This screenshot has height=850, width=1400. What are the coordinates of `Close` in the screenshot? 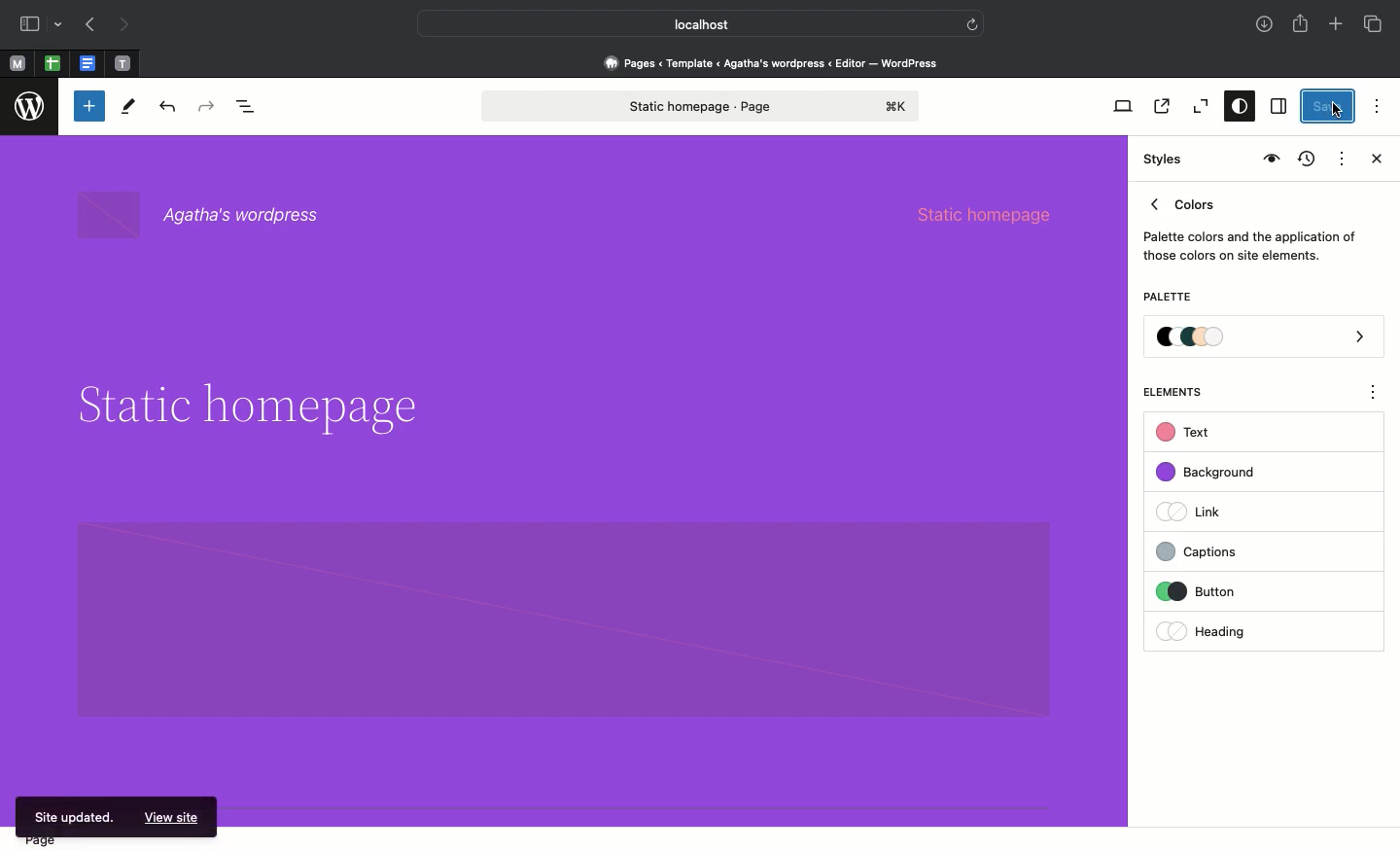 It's located at (1373, 160).